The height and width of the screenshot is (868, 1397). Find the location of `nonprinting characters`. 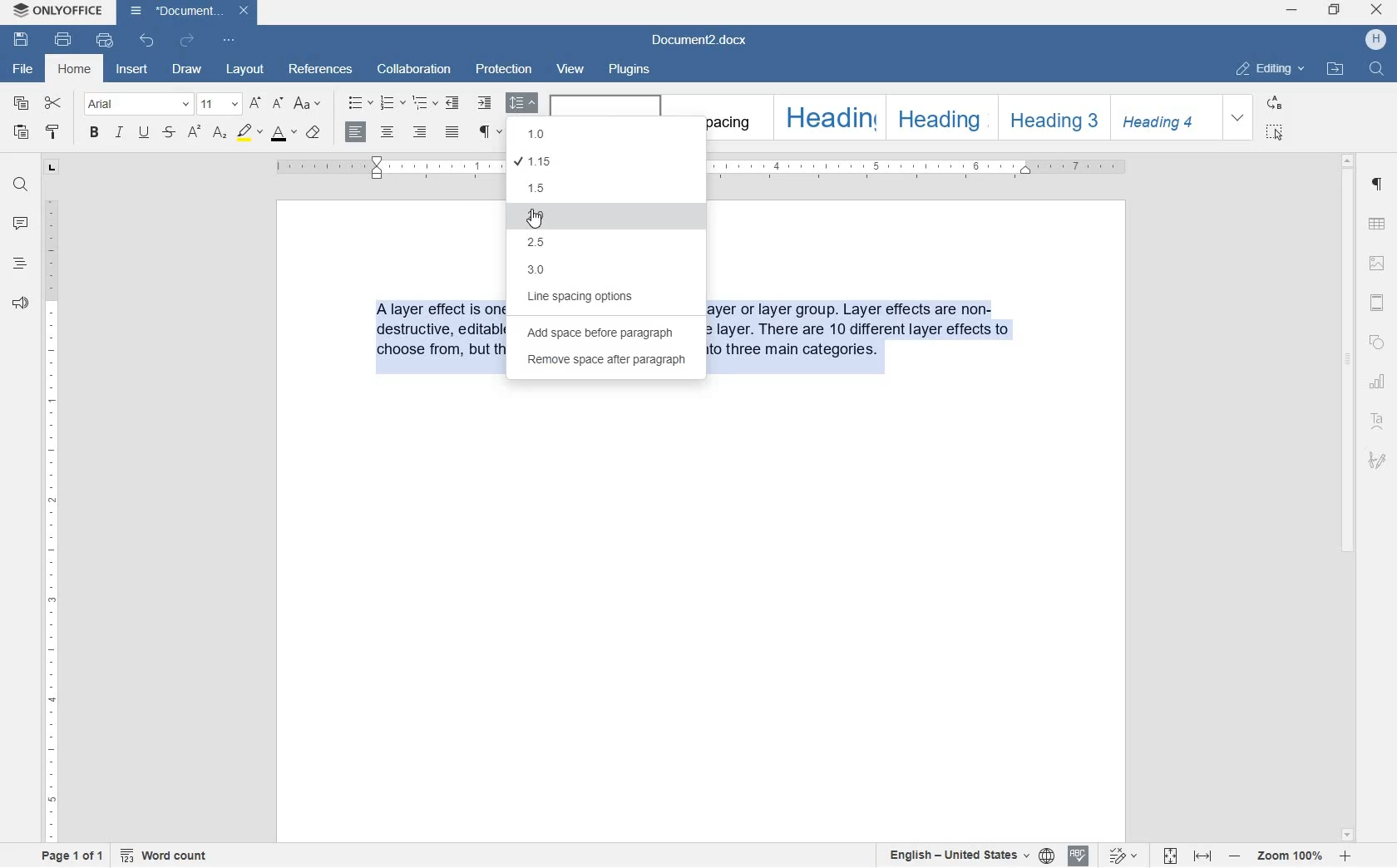

nonprinting characters is located at coordinates (488, 131).